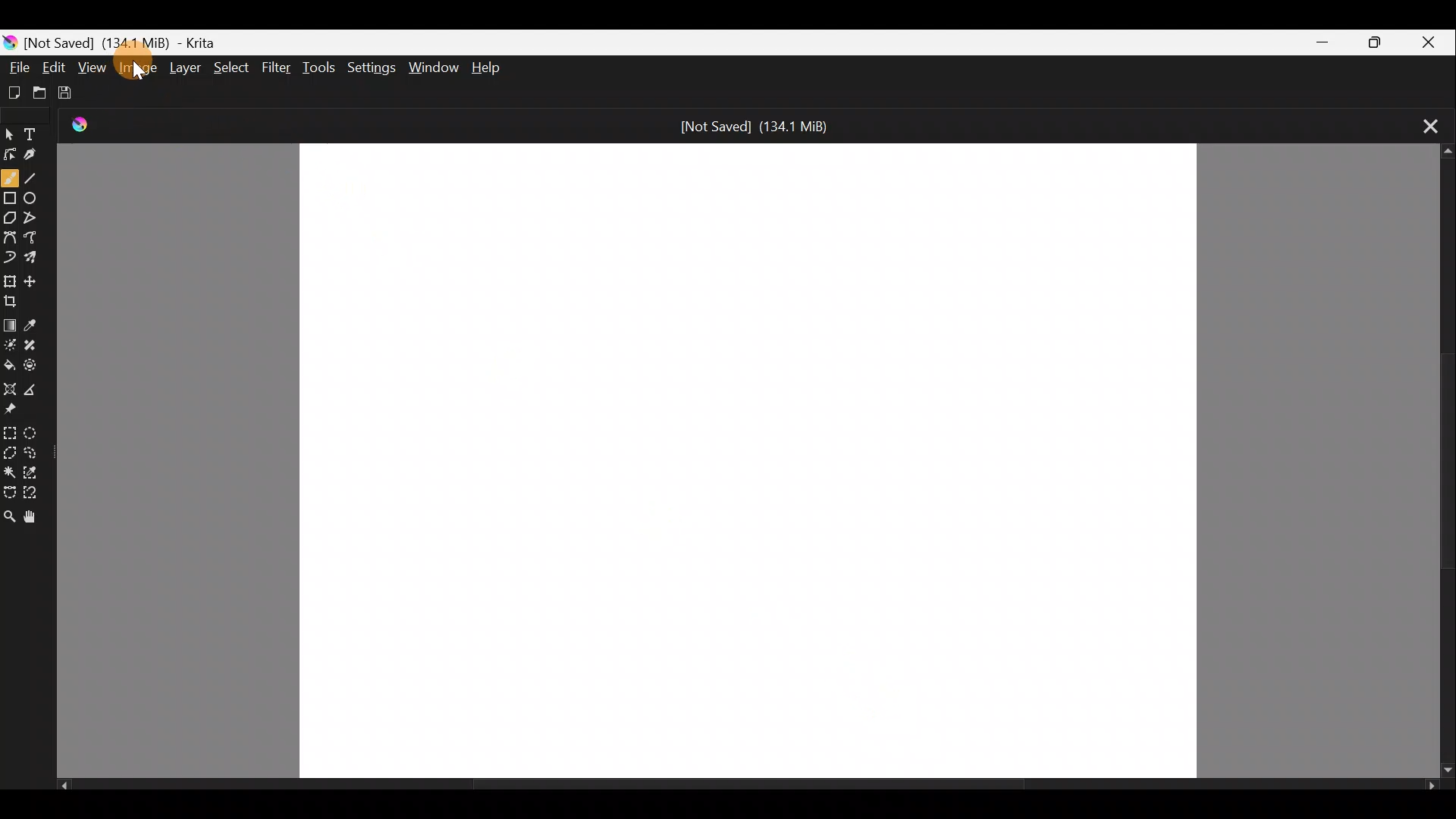 Image resolution: width=1456 pixels, height=819 pixels. I want to click on Enclose & fill tool, so click(37, 365).